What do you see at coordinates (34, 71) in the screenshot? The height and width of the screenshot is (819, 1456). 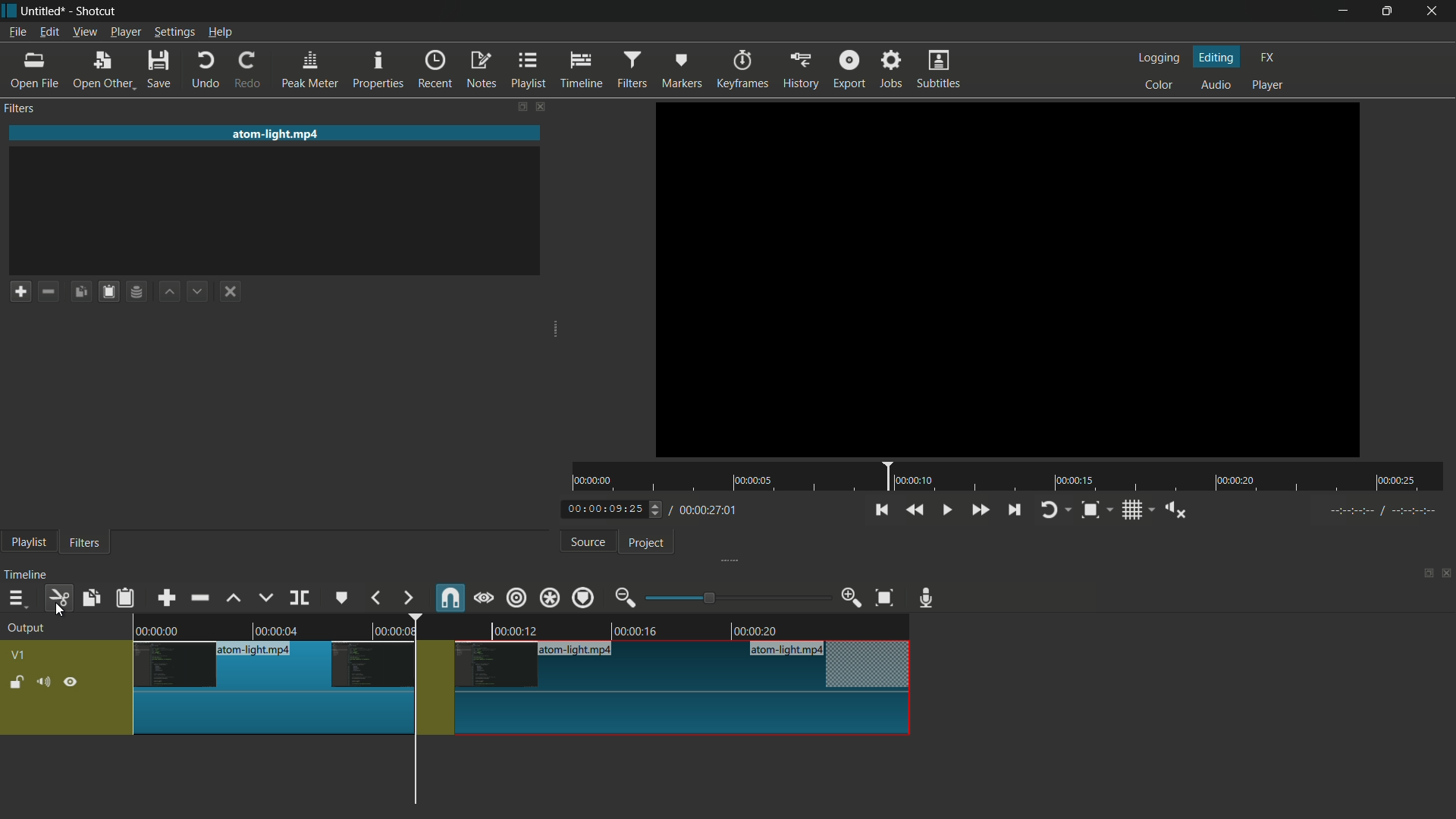 I see `open file` at bounding box center [34, 71].